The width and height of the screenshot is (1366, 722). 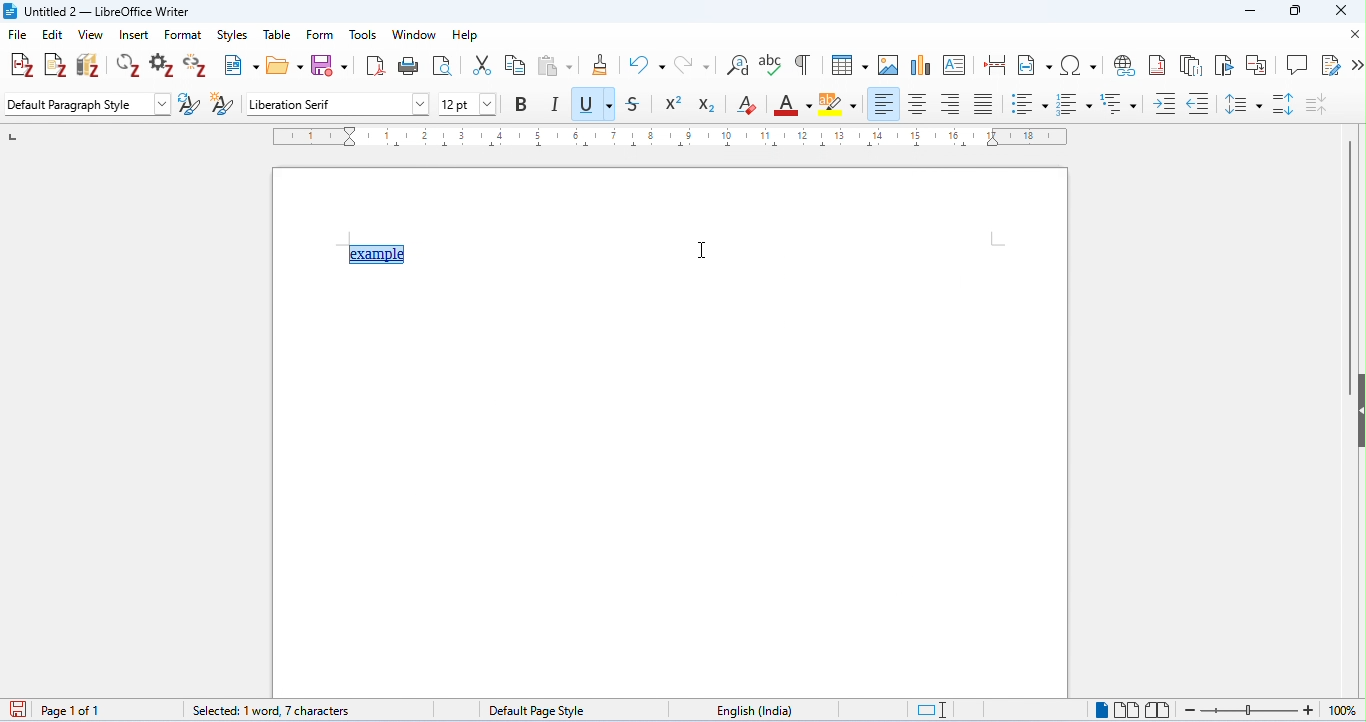 I want to click on add note, so click(x=56, y=65).